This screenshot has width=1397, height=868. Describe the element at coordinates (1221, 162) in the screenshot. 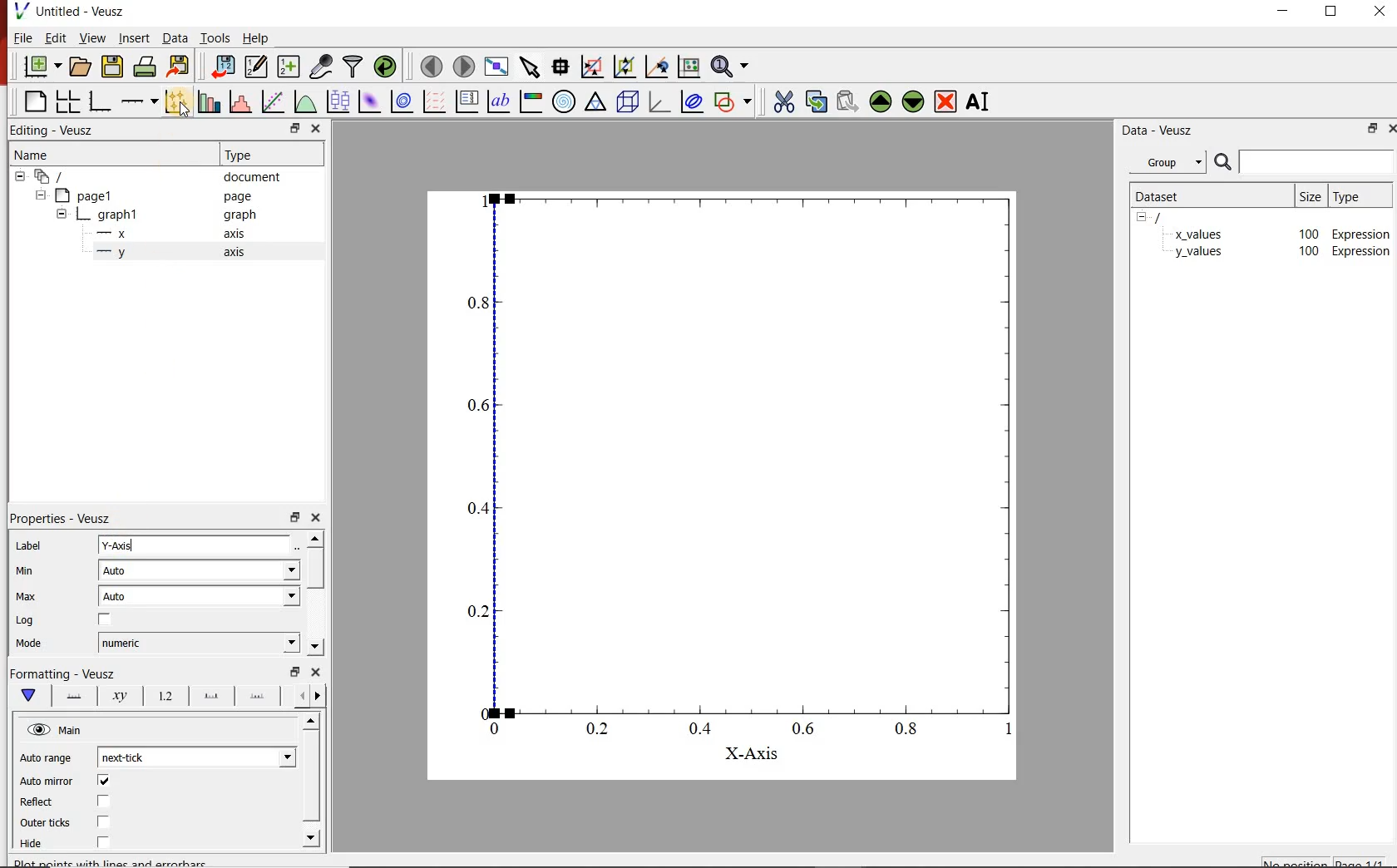

I see `search` at that location.